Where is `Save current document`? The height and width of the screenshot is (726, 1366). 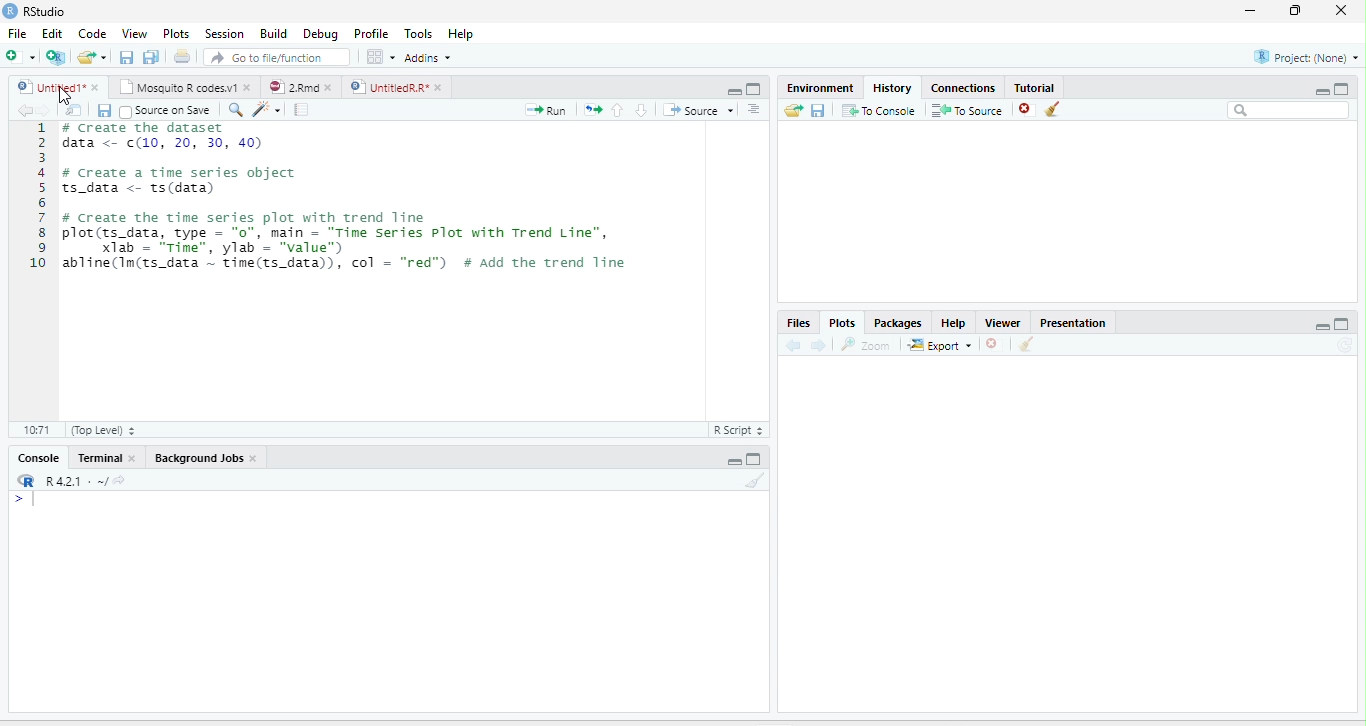
Save current document is located at coordinates (104, 111).